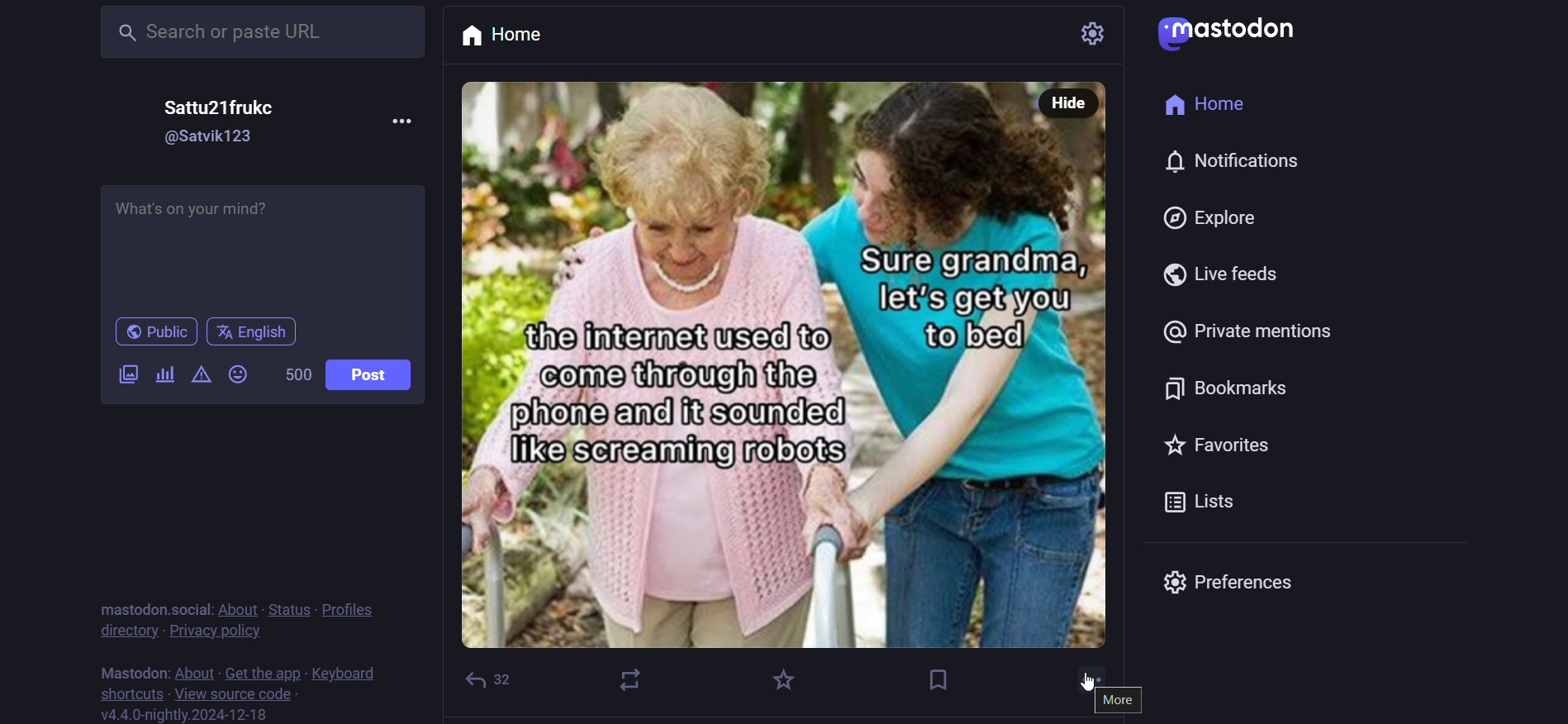 This screenshot has height=724, width=1568. Describe the element at coordinates (1188, 498) in the screenshot. I see `lists` at that location.